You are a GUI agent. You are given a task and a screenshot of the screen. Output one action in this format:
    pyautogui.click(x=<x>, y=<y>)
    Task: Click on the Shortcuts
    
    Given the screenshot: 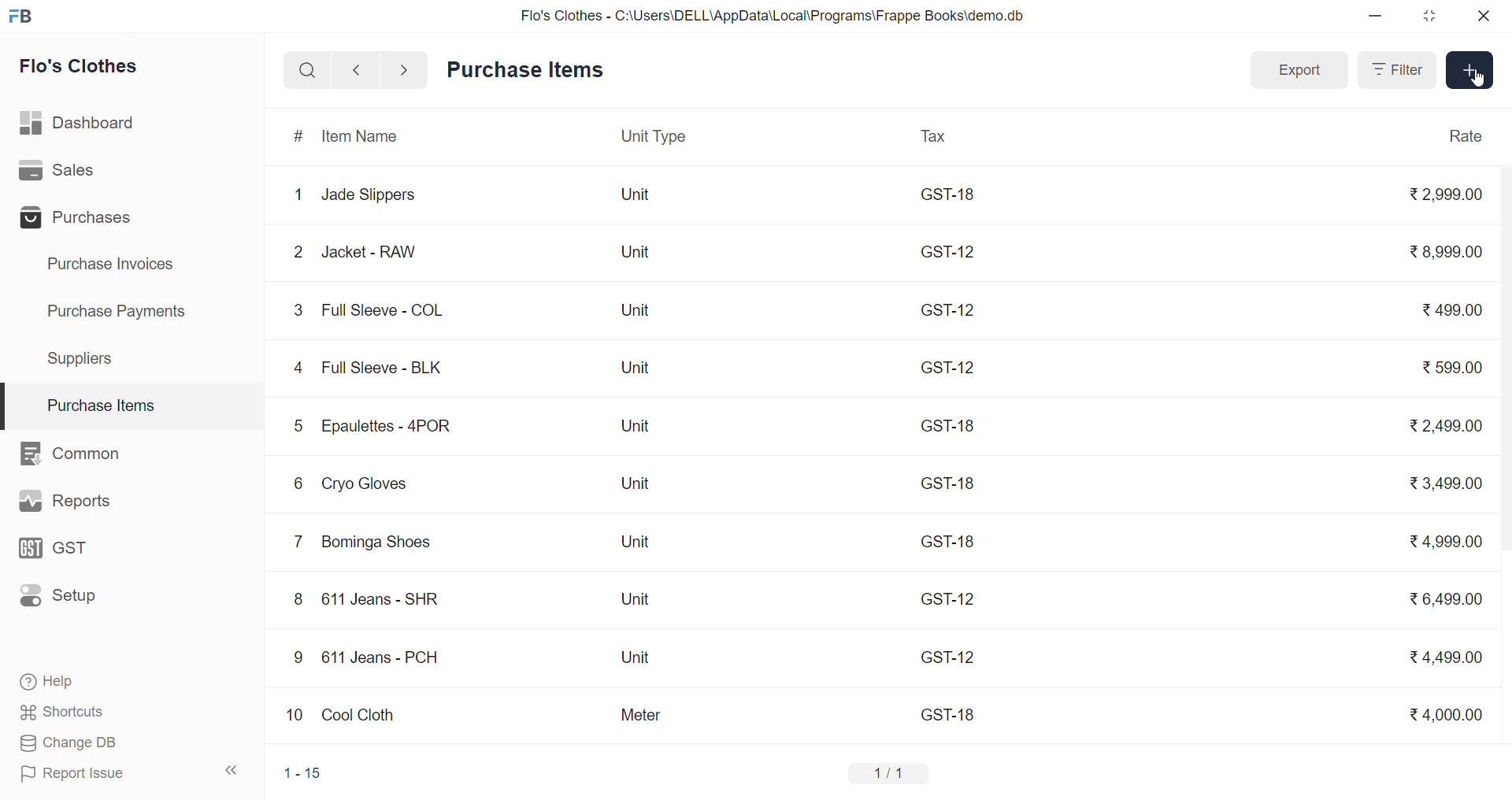 What is the action you would take?
    pyautogui.click(x=127, y=711)
    